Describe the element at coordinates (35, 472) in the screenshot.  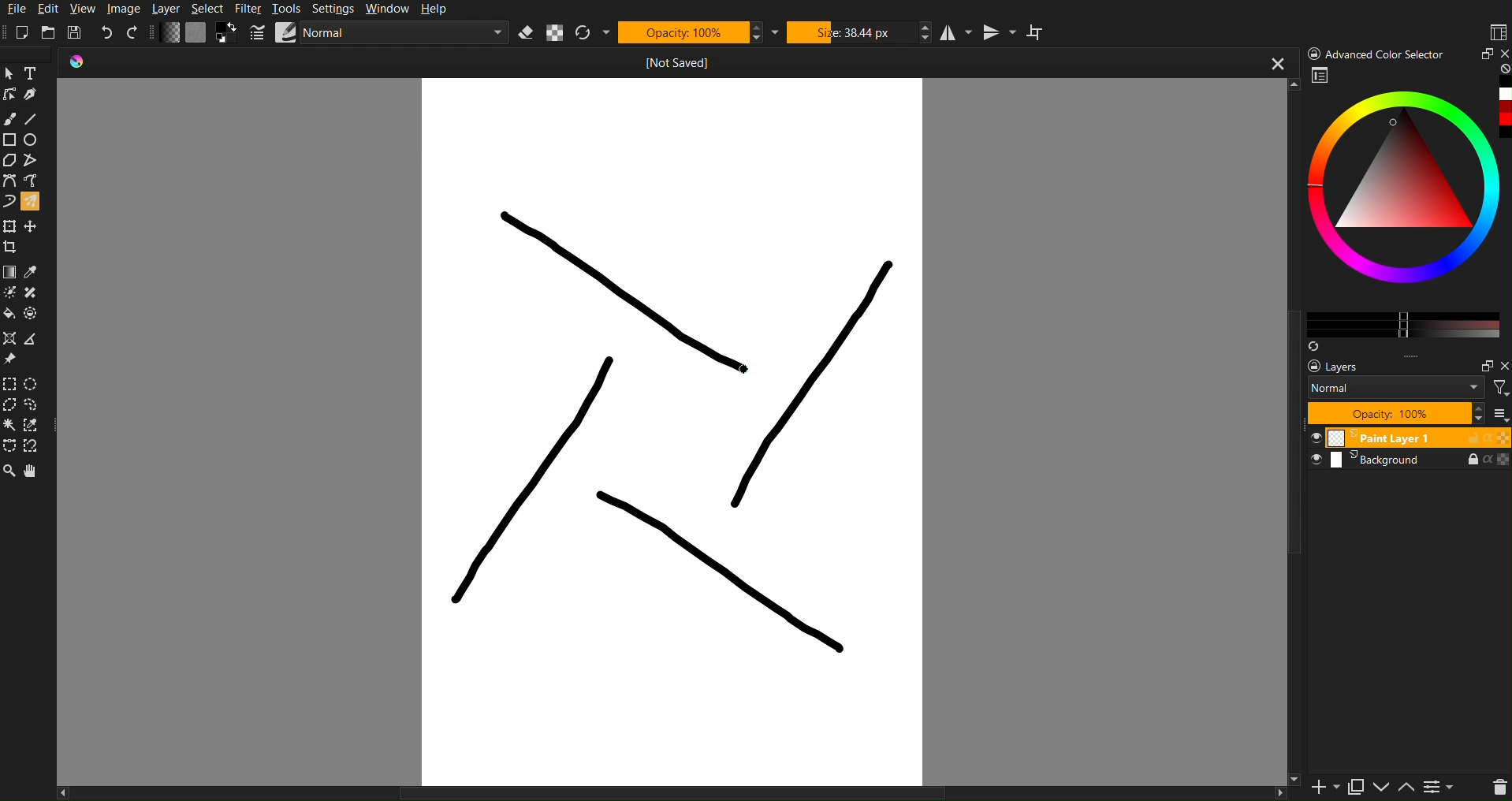
I see `Pan` at that location.